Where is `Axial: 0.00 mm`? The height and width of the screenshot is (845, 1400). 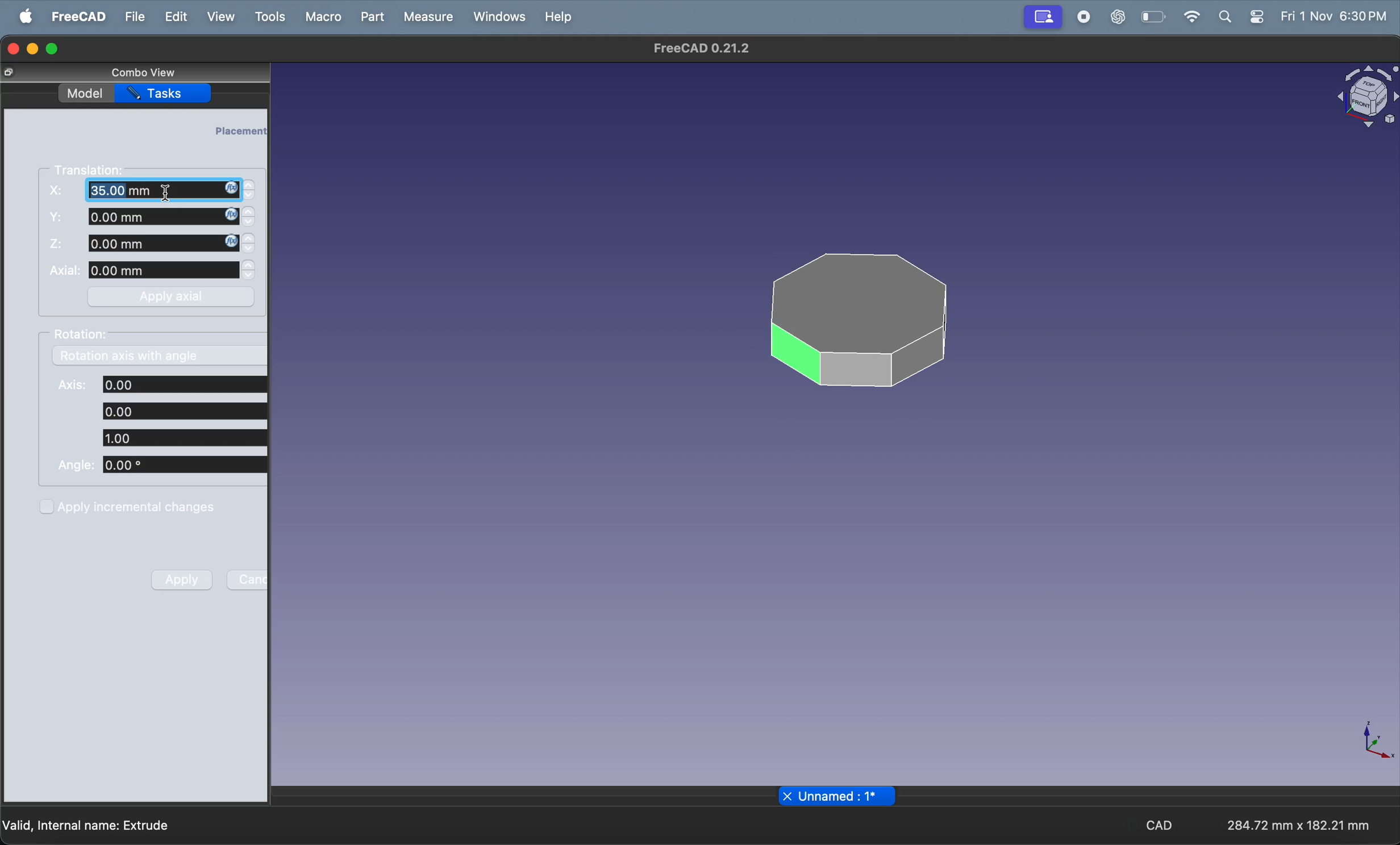 Axial: 0.00 mm is located at coordinates (143, 271).